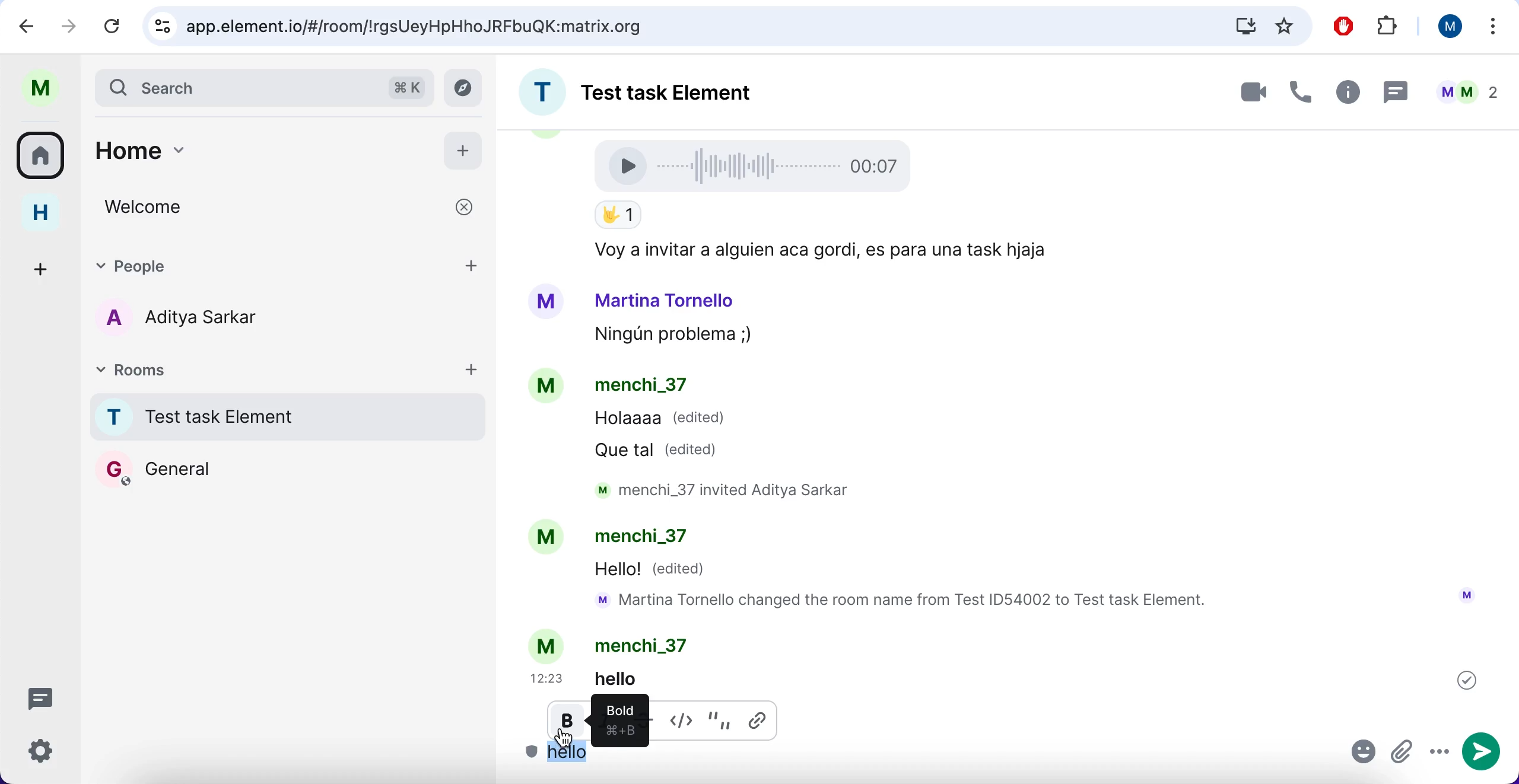 The image size is (1519, 784). What do you see at coordinates (284, 416) in the screenshot?
I see `room name` at bounding box center [284, 416].